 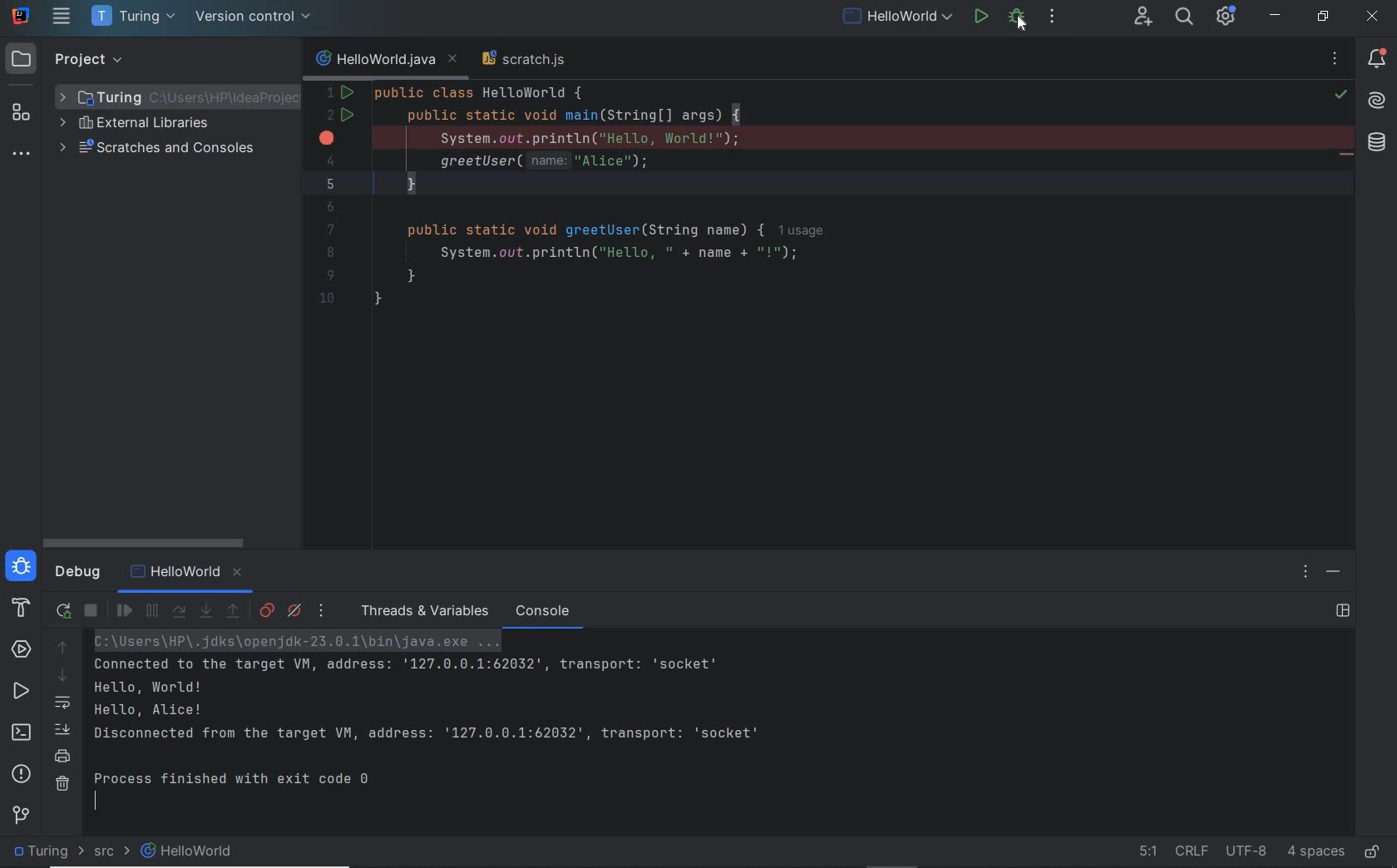 What do you see at coordinates (255, 18) in the screenshot?
I see `version control` at bounding box center [255, 18].